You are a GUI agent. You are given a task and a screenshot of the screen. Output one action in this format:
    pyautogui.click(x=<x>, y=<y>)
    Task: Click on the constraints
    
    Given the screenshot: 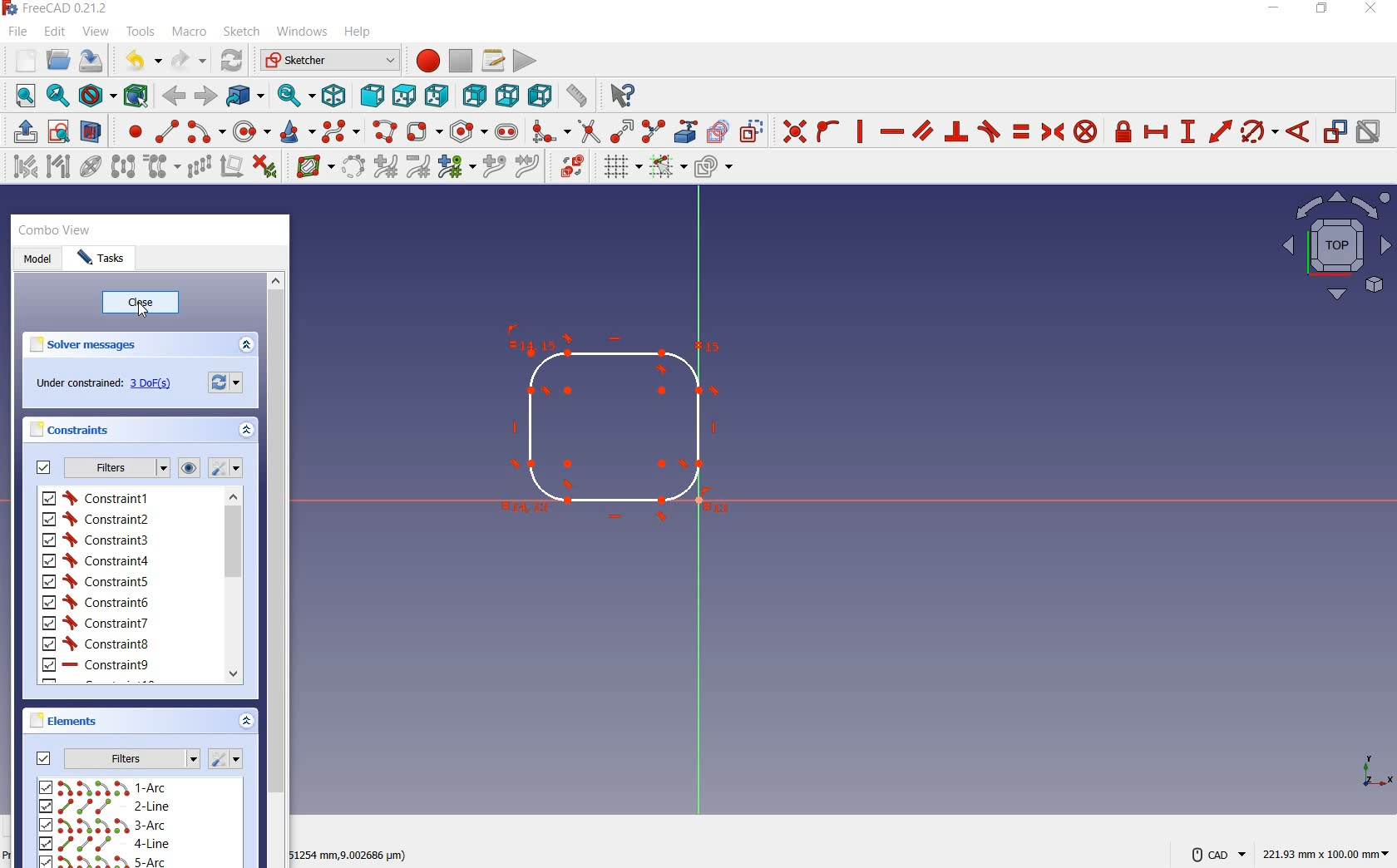 What is the action you would take?
    pyautogui.click(x=68, y=429)
    